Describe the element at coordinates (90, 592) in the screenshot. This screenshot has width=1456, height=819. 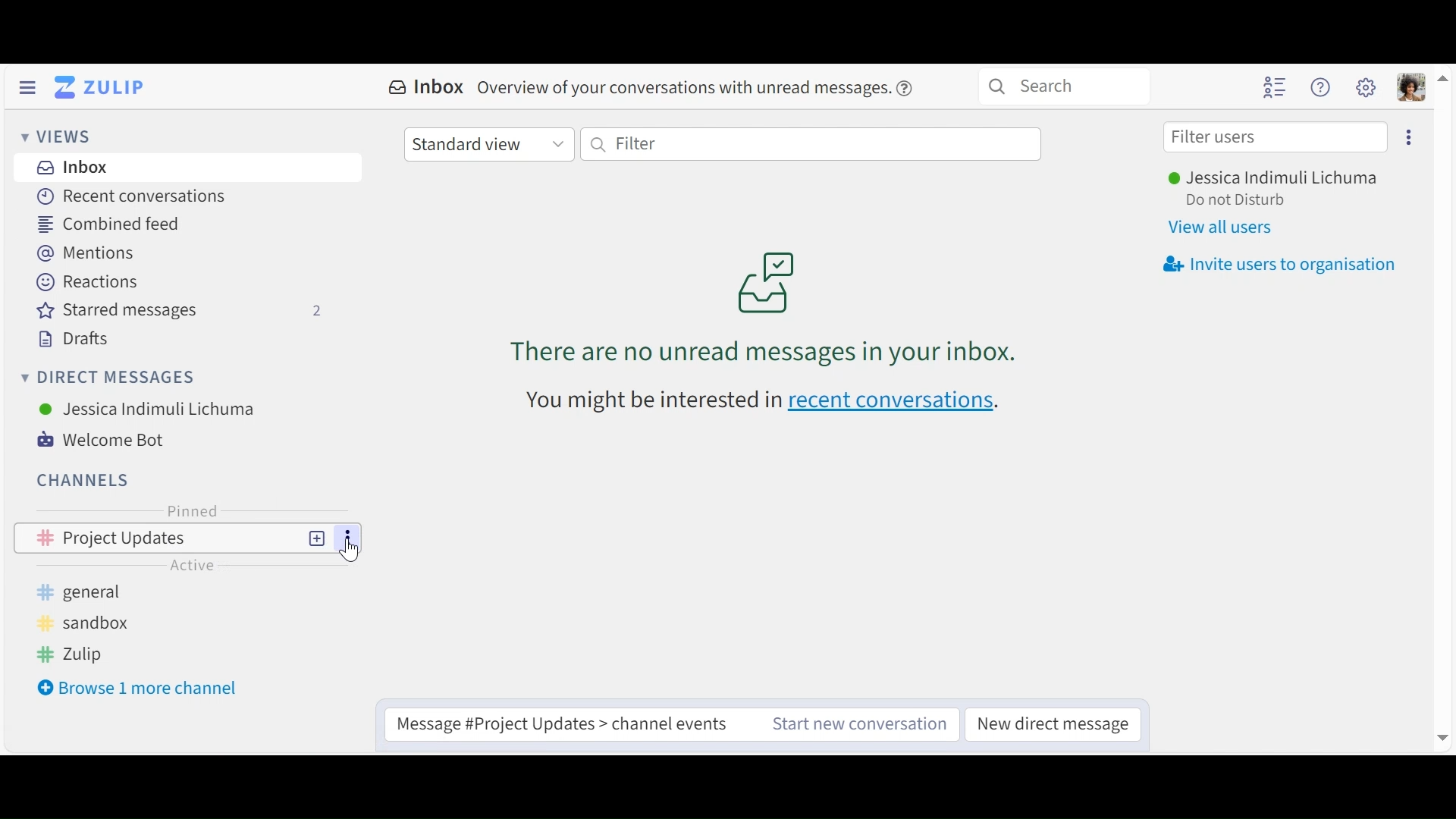
I see `general` at that location.